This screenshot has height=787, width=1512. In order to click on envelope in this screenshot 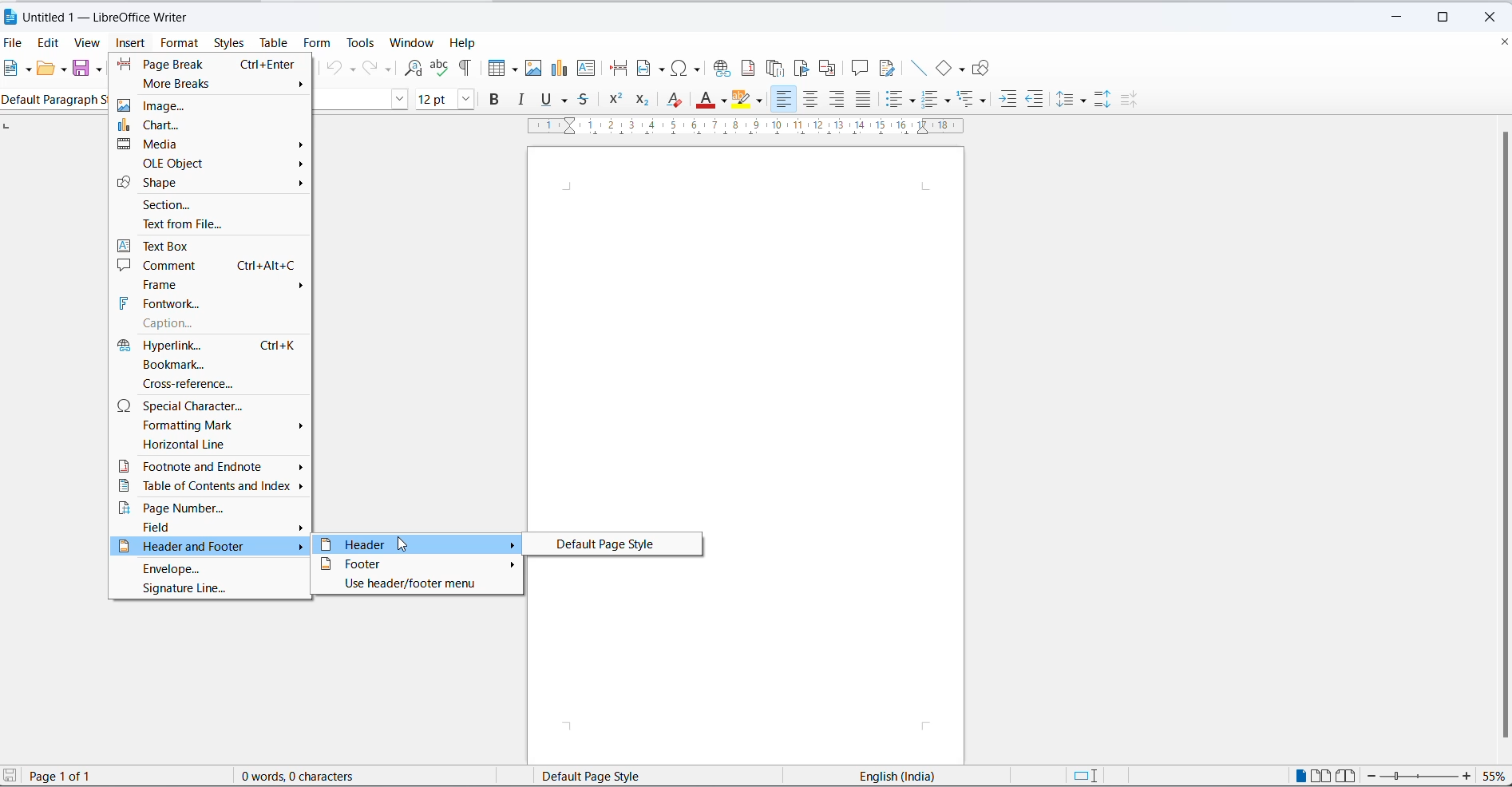, I will do `click(212, 569)`.